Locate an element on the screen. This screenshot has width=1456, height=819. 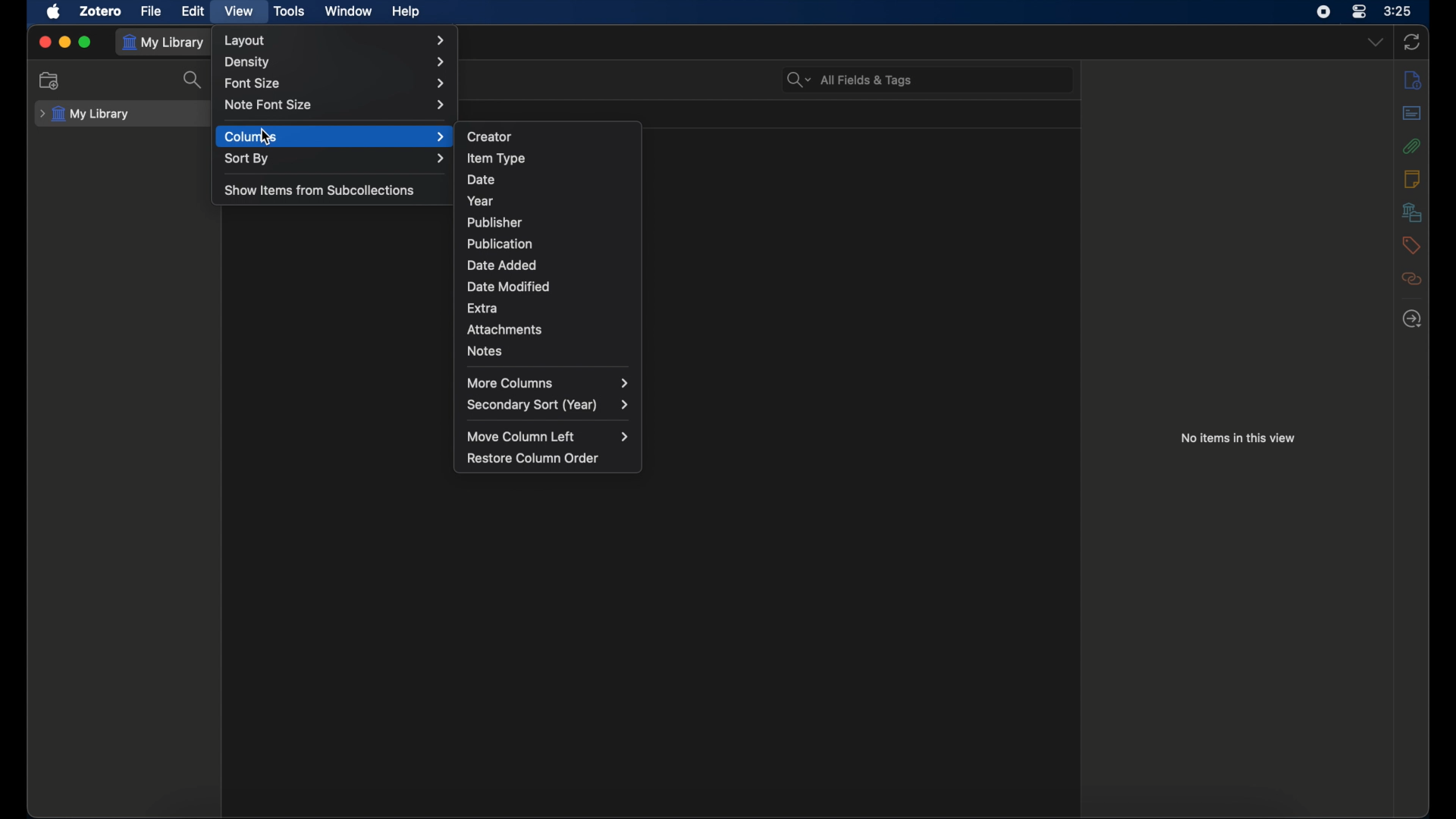
dropdown is located at coordinates (1374, 42).